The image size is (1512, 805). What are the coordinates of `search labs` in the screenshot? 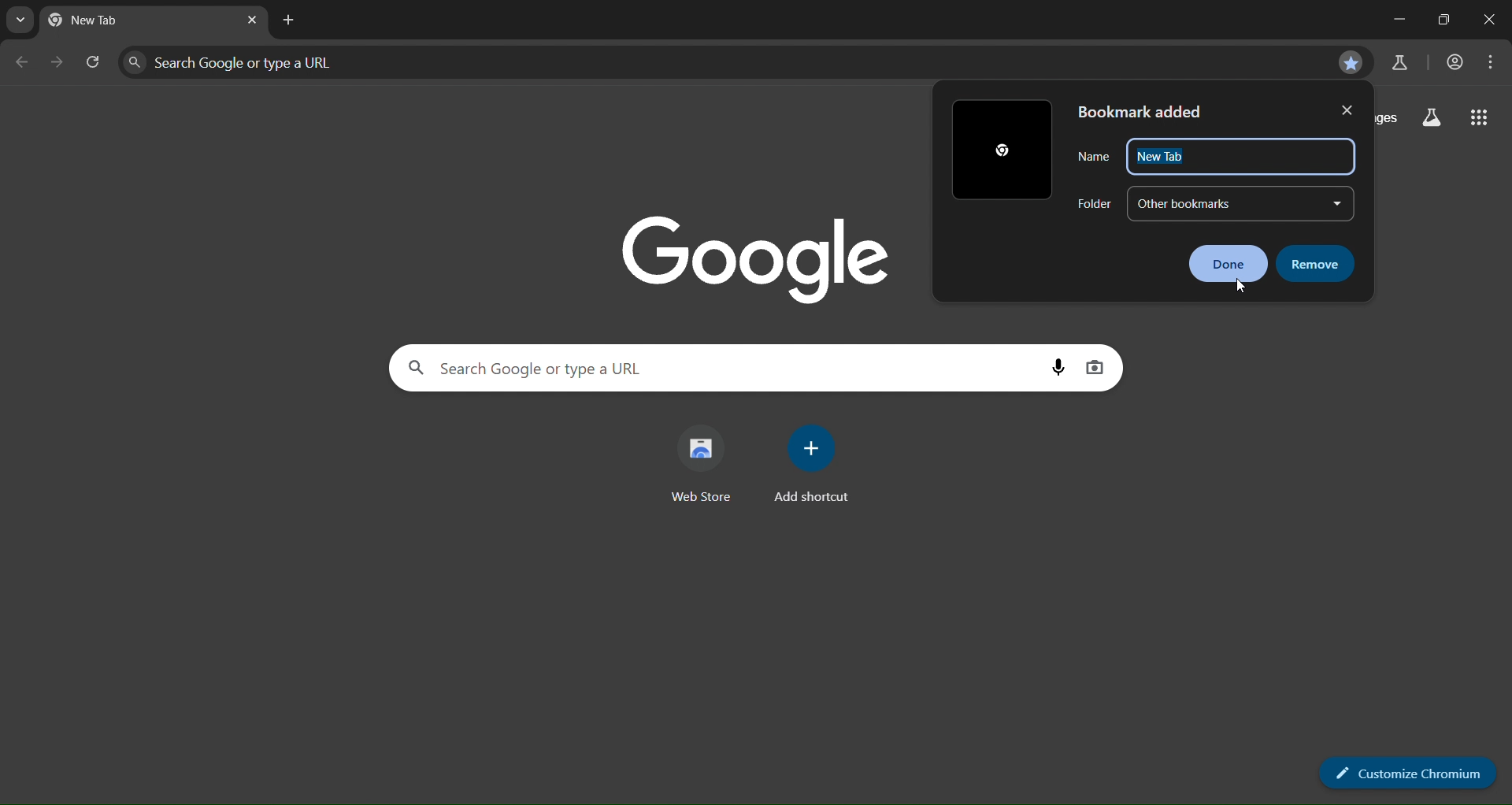 It's located at (1395, 64).